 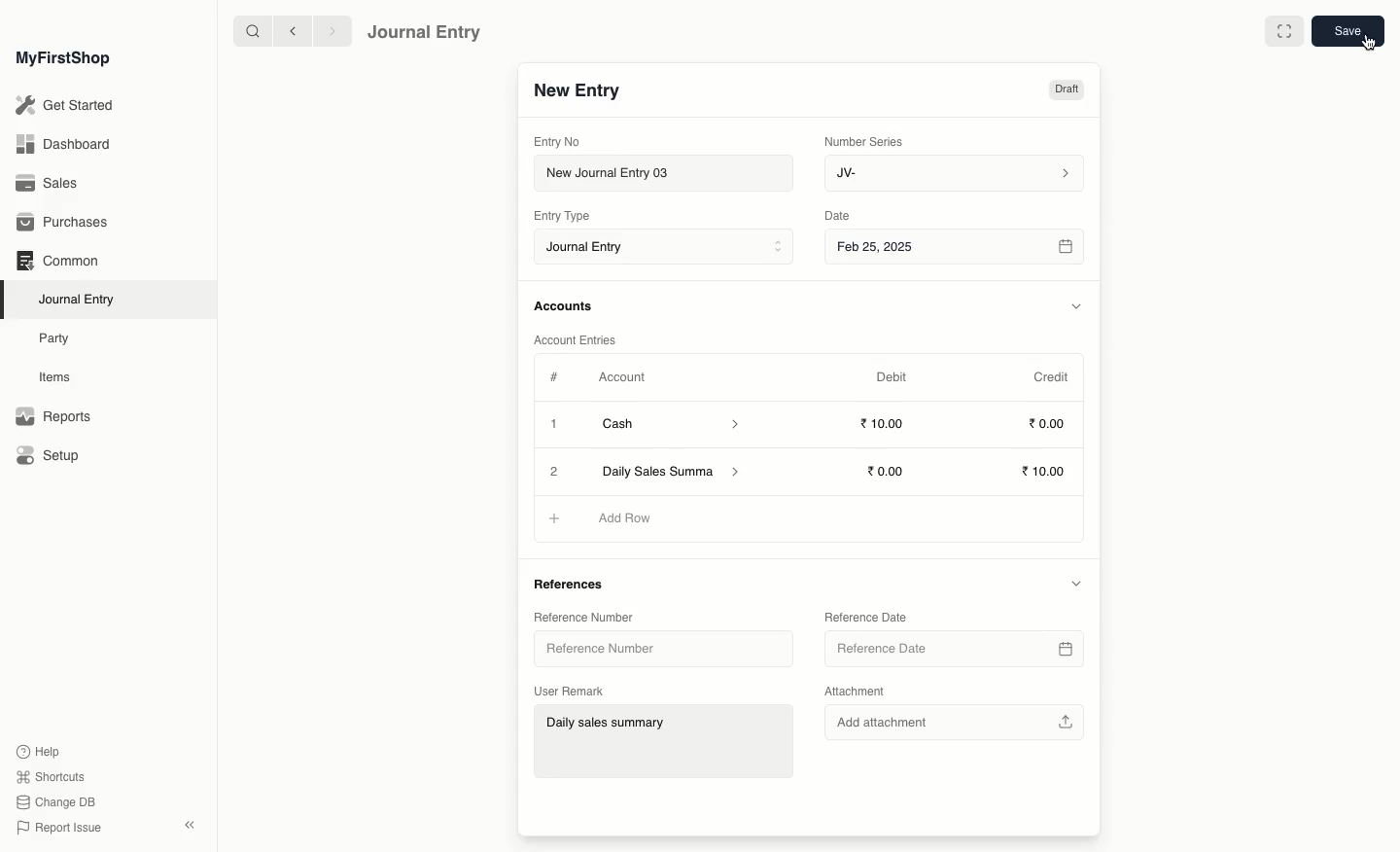 I want to click on Shortcuts, so click(x=48, y=775).